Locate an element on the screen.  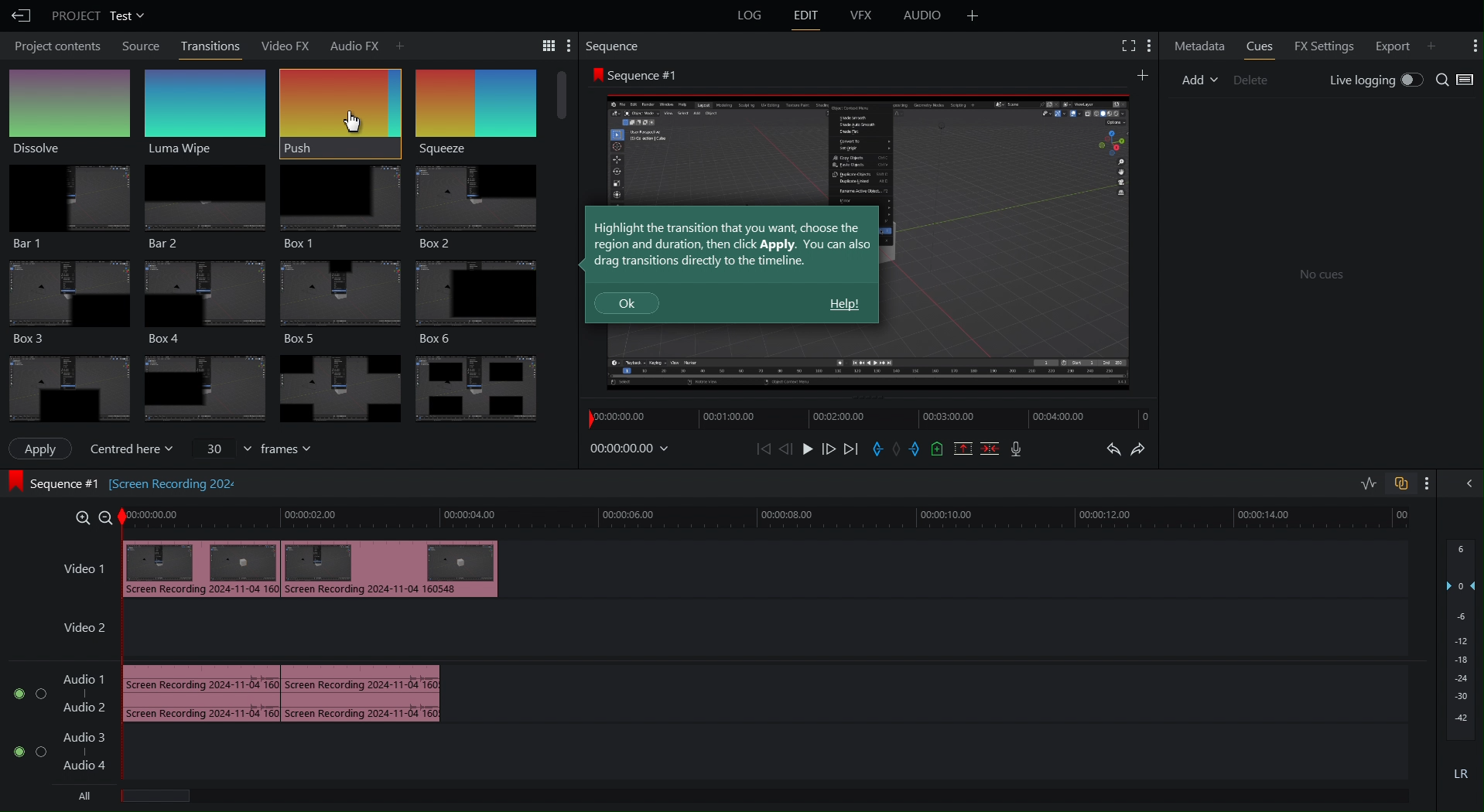
Add Cue is located at coordinates (938, 449).